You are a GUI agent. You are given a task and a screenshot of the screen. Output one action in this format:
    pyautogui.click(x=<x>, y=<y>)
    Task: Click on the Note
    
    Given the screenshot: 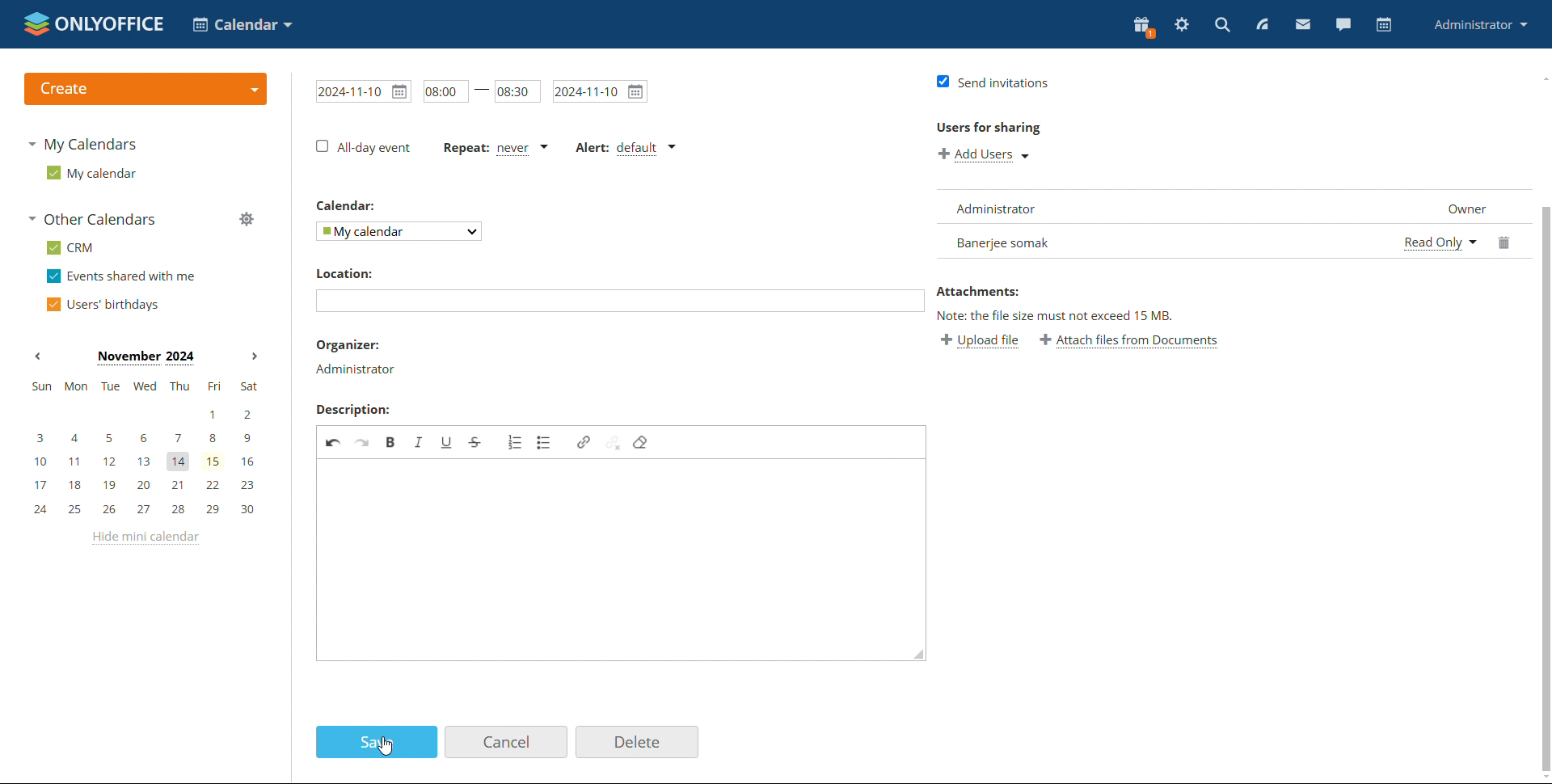 What is the action you would take?
    pyautogui.click(x=1046, y=315)
    